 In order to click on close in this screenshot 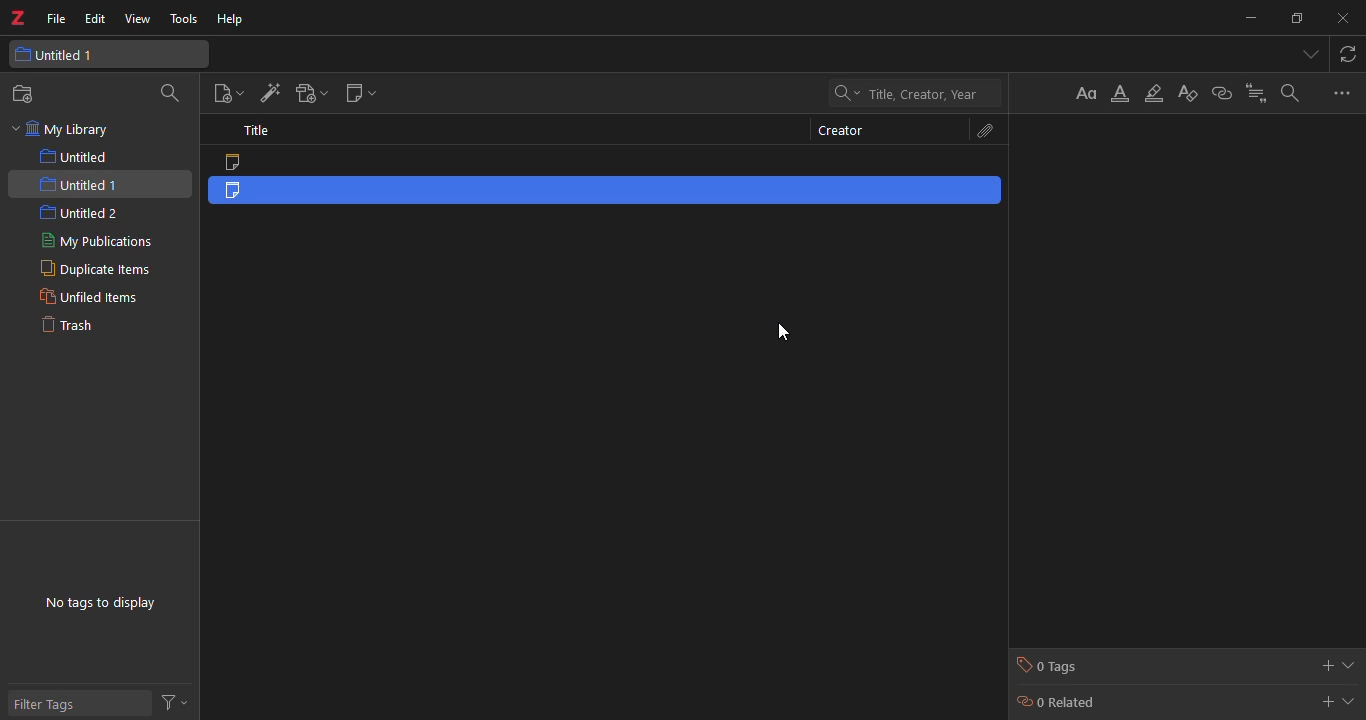, I will do `click(1338, 16)`.